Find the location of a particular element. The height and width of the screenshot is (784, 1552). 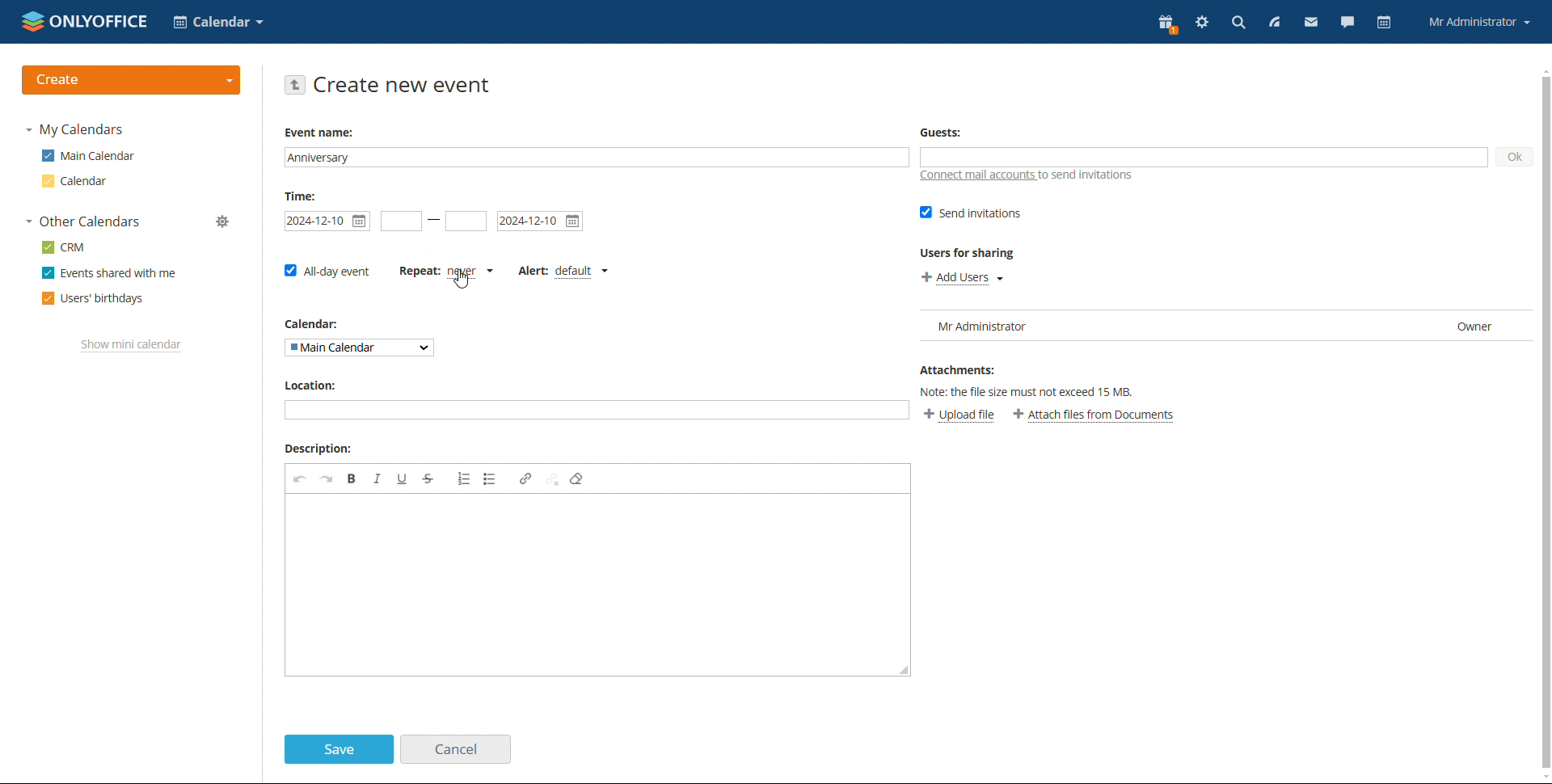

all-day event checkbox is located at coordinates (326, 270).